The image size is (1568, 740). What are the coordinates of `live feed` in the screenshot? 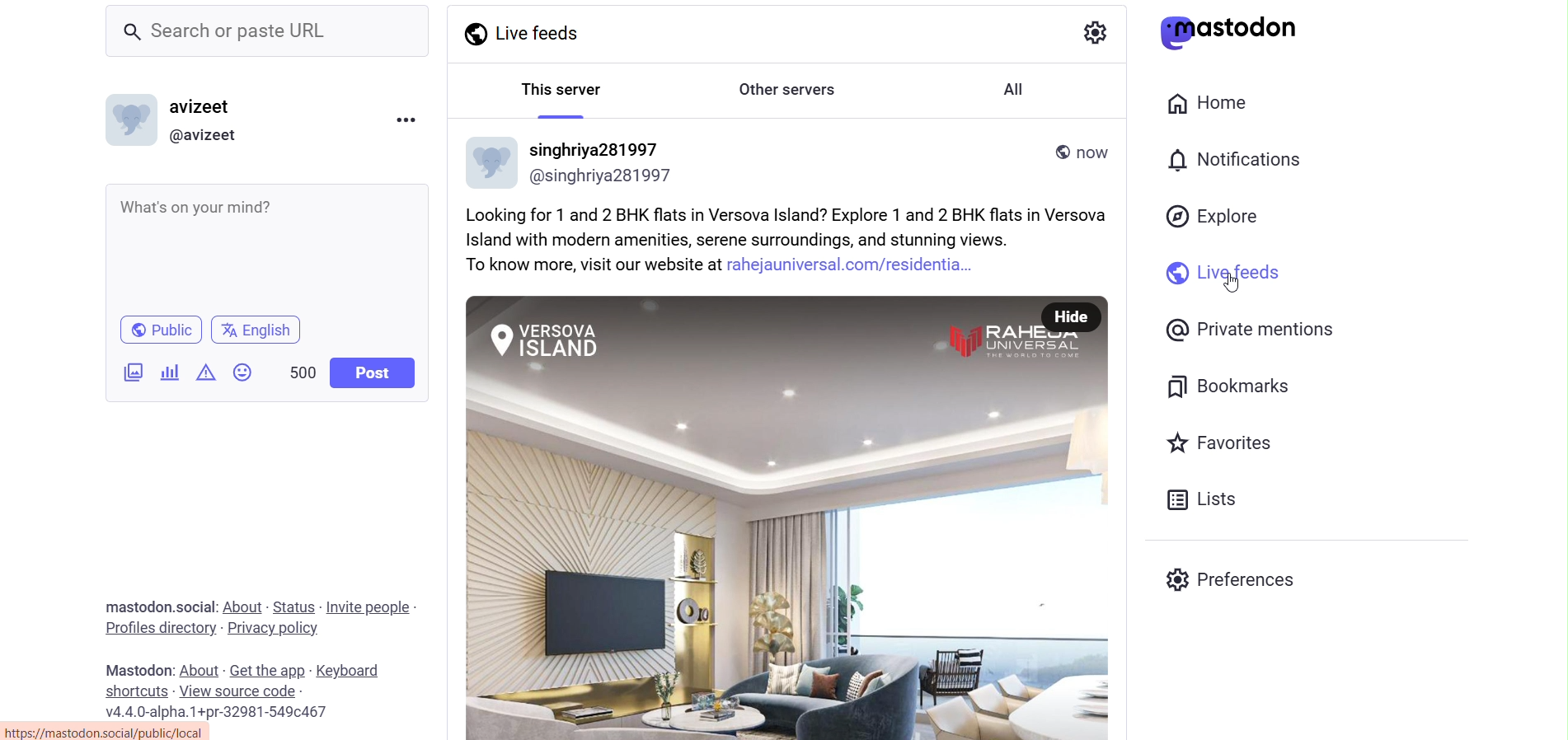 It's located at (1221, 275).